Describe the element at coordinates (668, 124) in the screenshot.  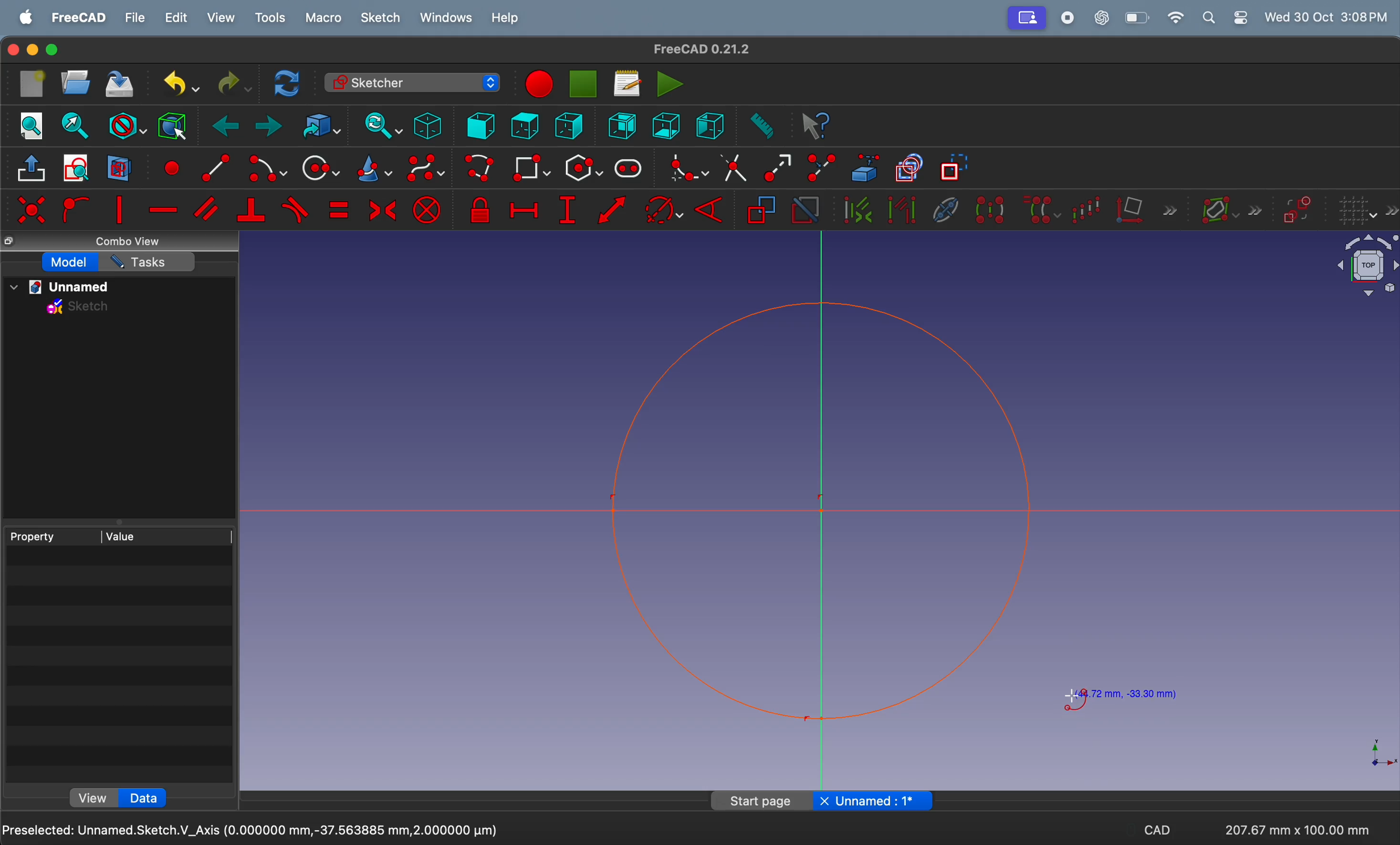
I see `bottom view` at that location.